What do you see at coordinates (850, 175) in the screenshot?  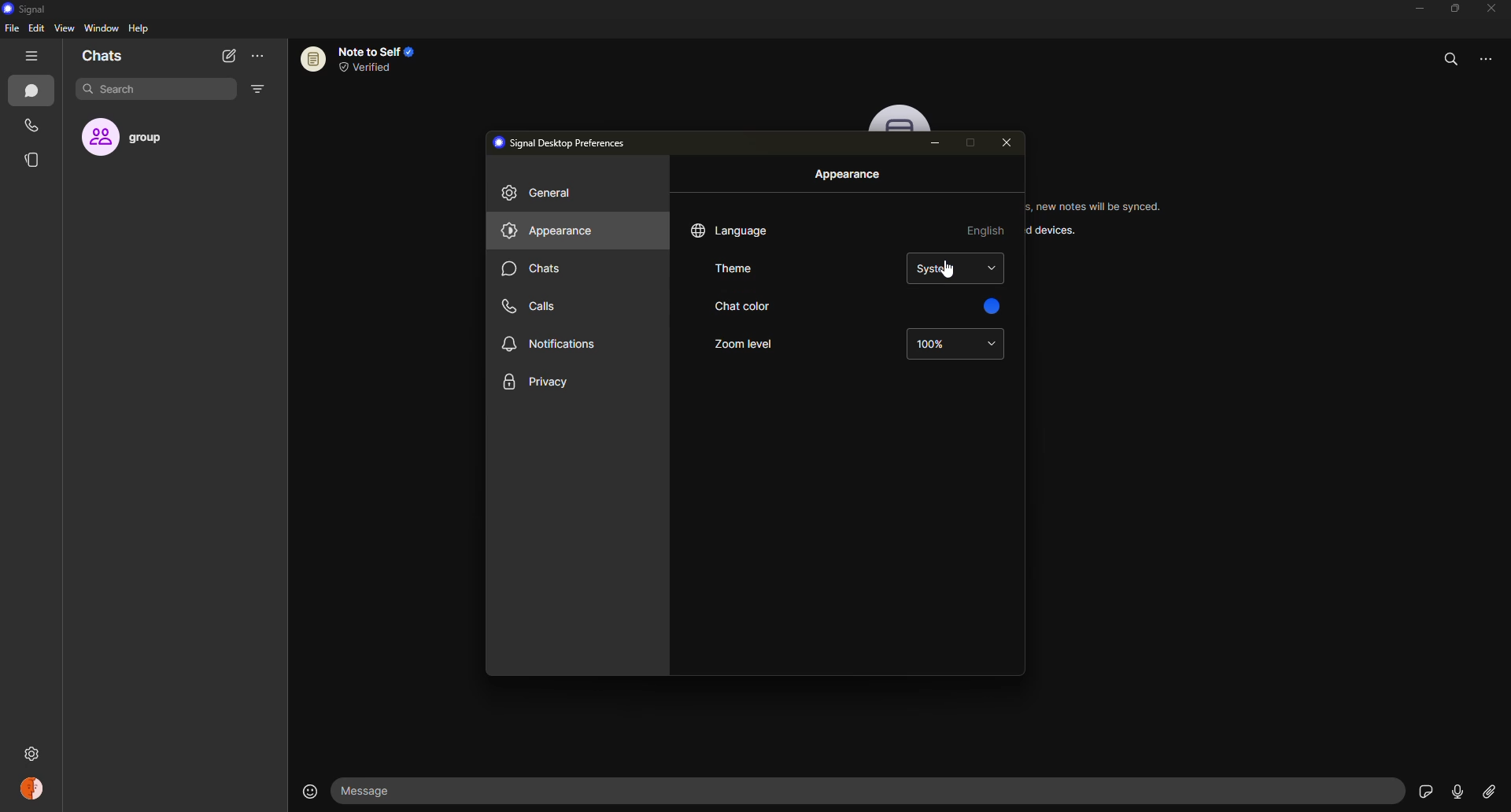 I see `appearance` at bounding box center [850, 175].